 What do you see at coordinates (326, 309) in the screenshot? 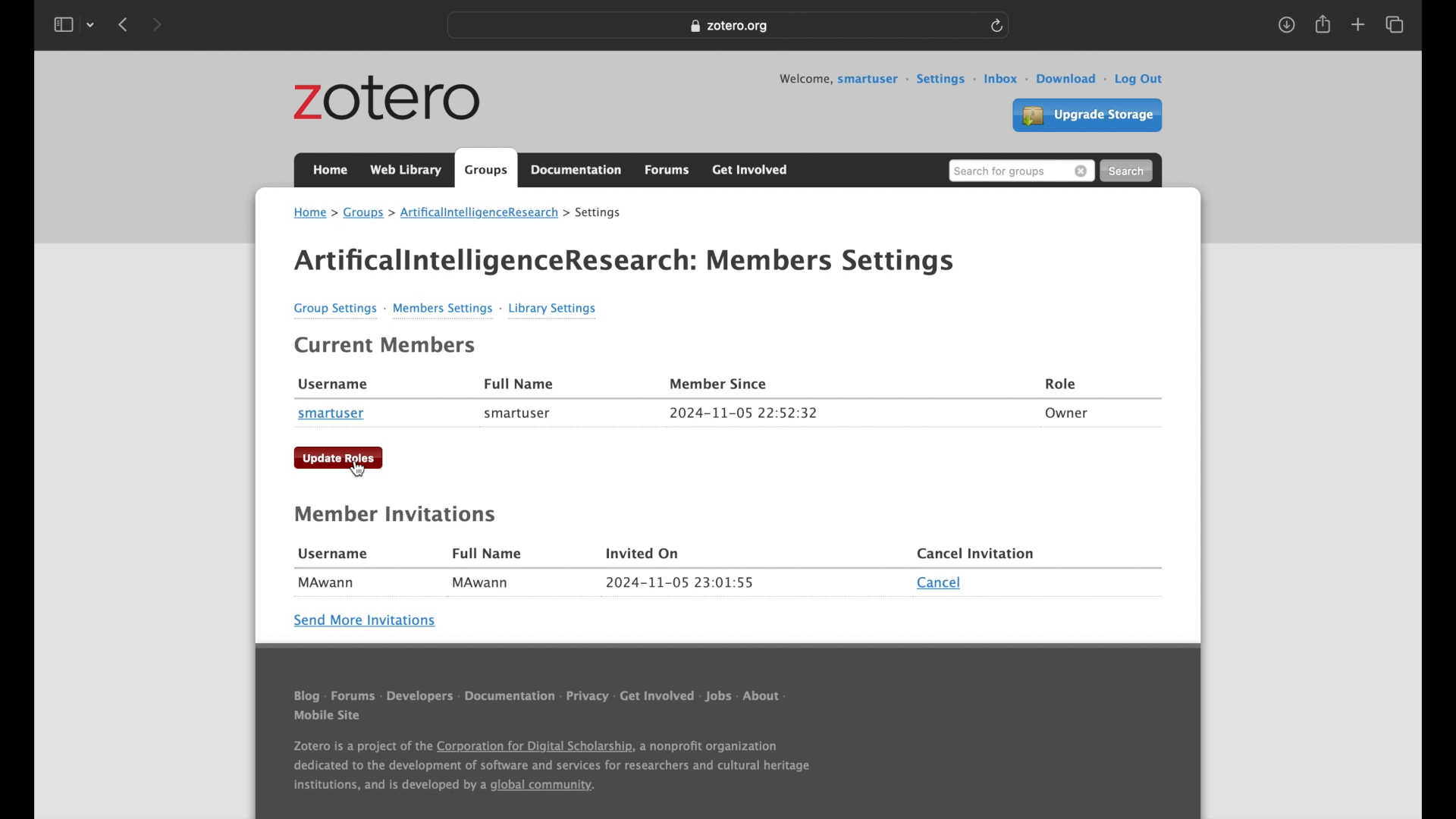
I see `Group Settings` at bounding box center [326, 309].